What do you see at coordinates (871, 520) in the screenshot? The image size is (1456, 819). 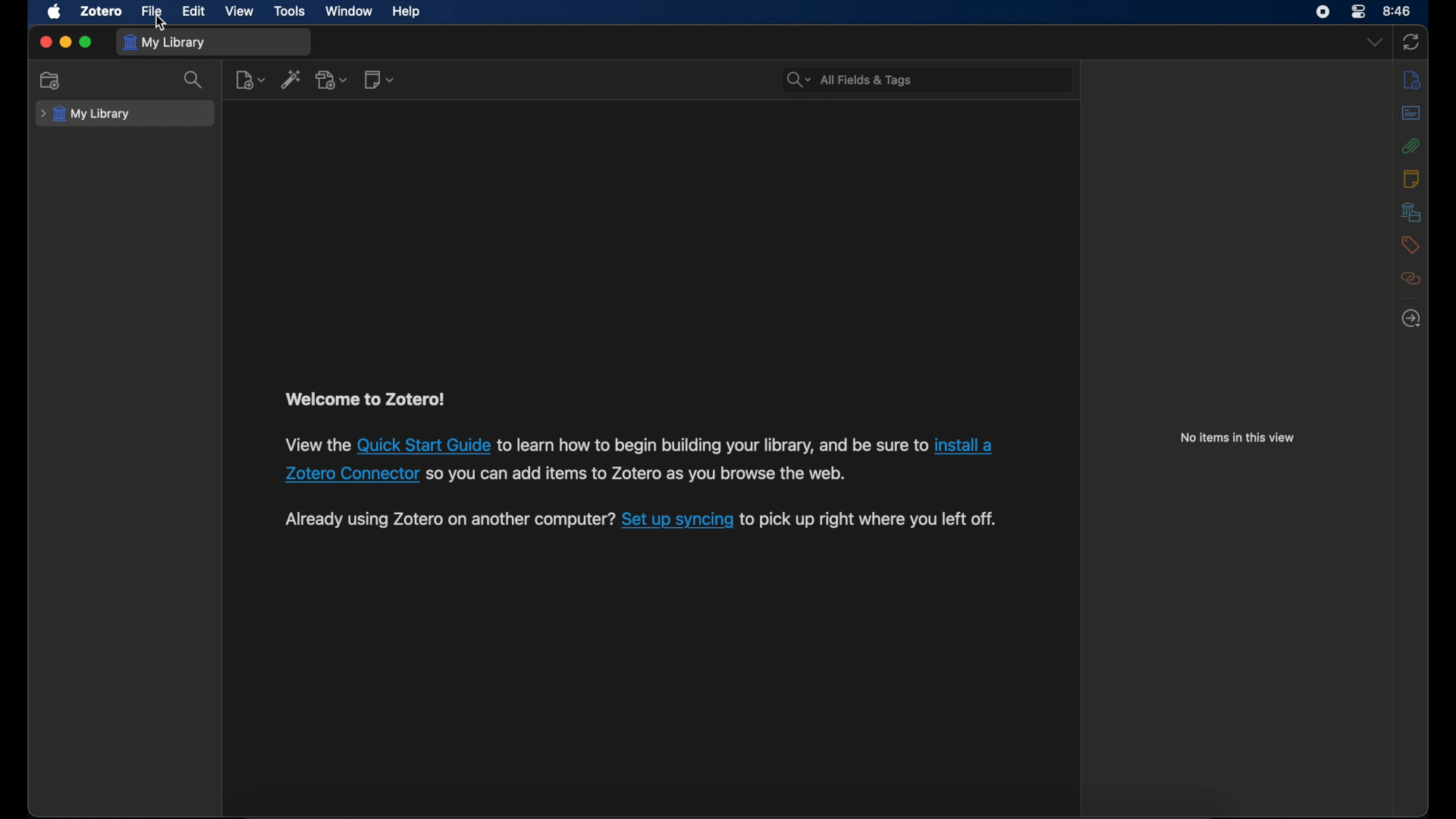 I see `software information` at bounding box center [871, 520].